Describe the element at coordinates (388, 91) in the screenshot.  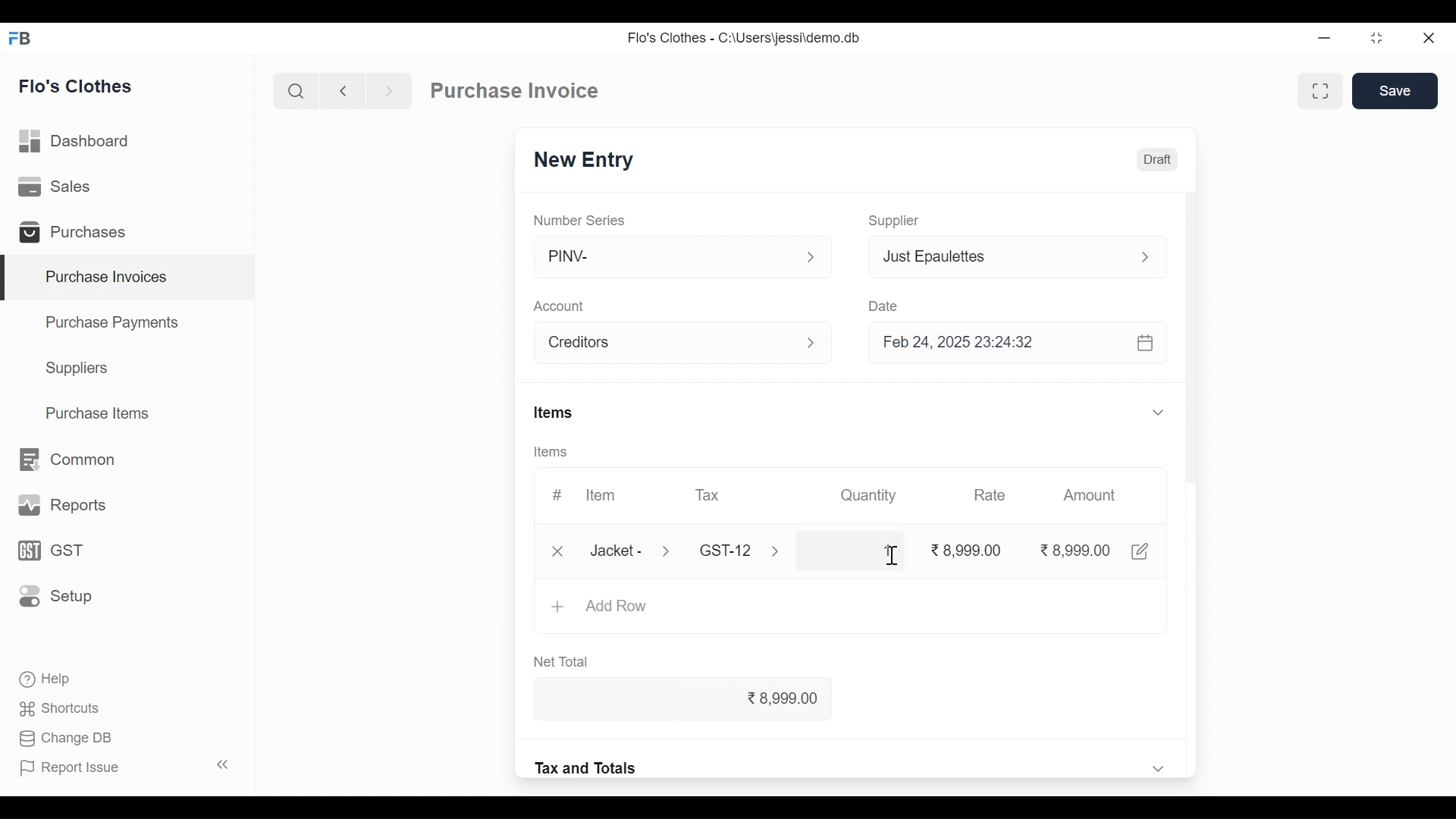
I see `Navigate forward` at that location.